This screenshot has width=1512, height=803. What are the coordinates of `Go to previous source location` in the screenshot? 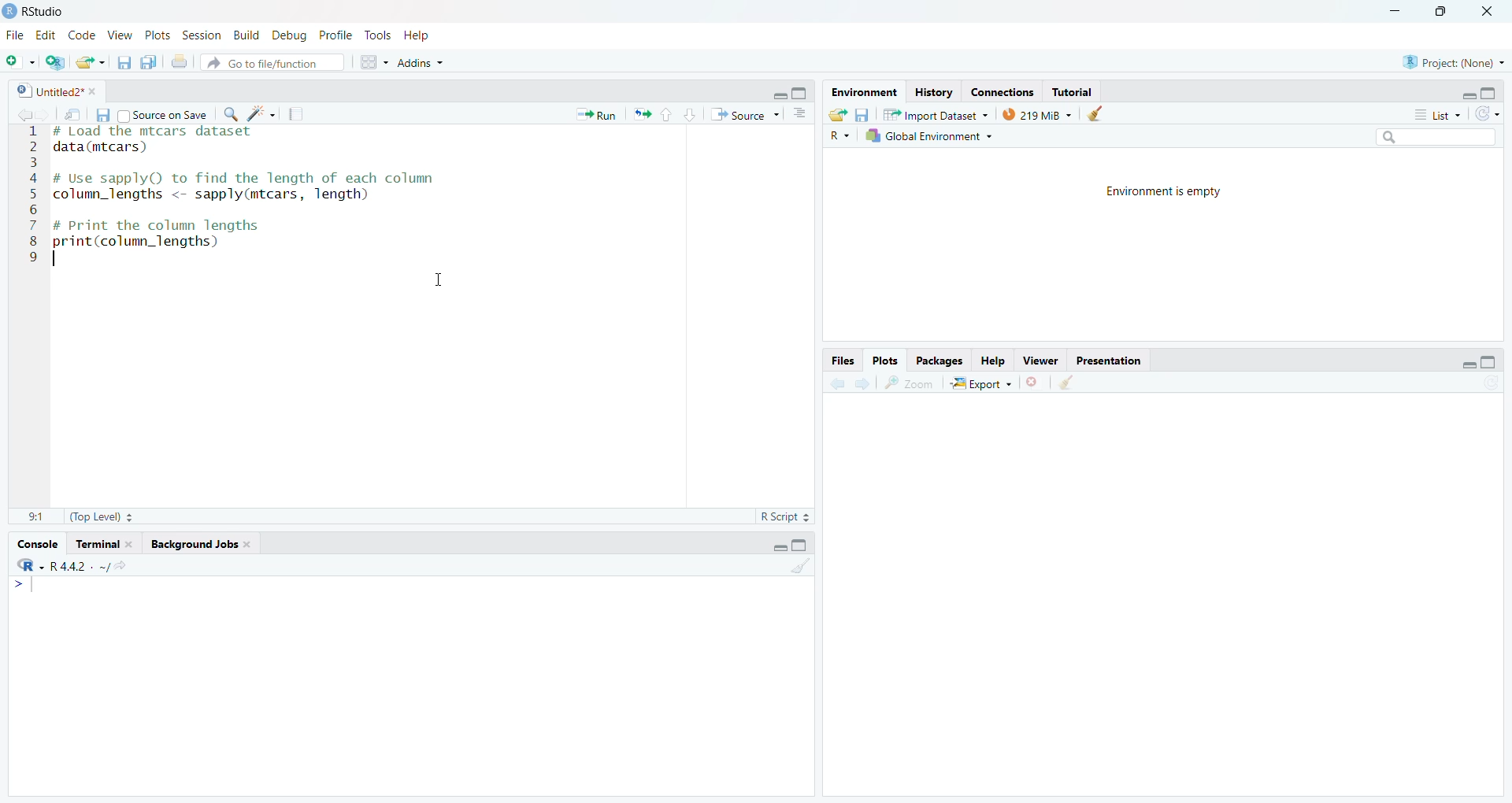 It's located at (20, 116).